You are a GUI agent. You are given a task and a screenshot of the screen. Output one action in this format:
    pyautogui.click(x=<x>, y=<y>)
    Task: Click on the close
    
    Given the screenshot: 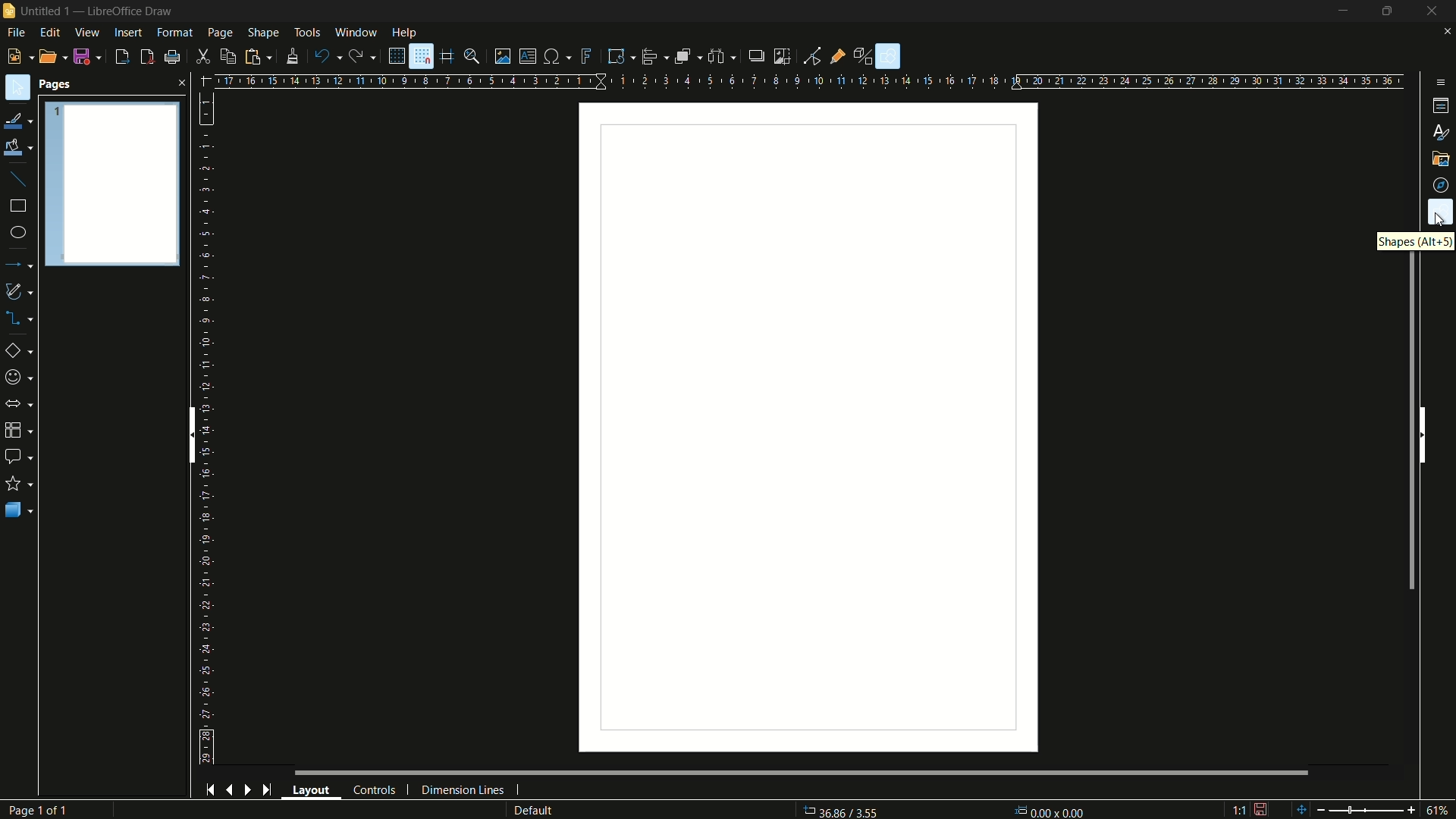 What is the action you would take?
    pyautogui.click(x=178, y=83)
    